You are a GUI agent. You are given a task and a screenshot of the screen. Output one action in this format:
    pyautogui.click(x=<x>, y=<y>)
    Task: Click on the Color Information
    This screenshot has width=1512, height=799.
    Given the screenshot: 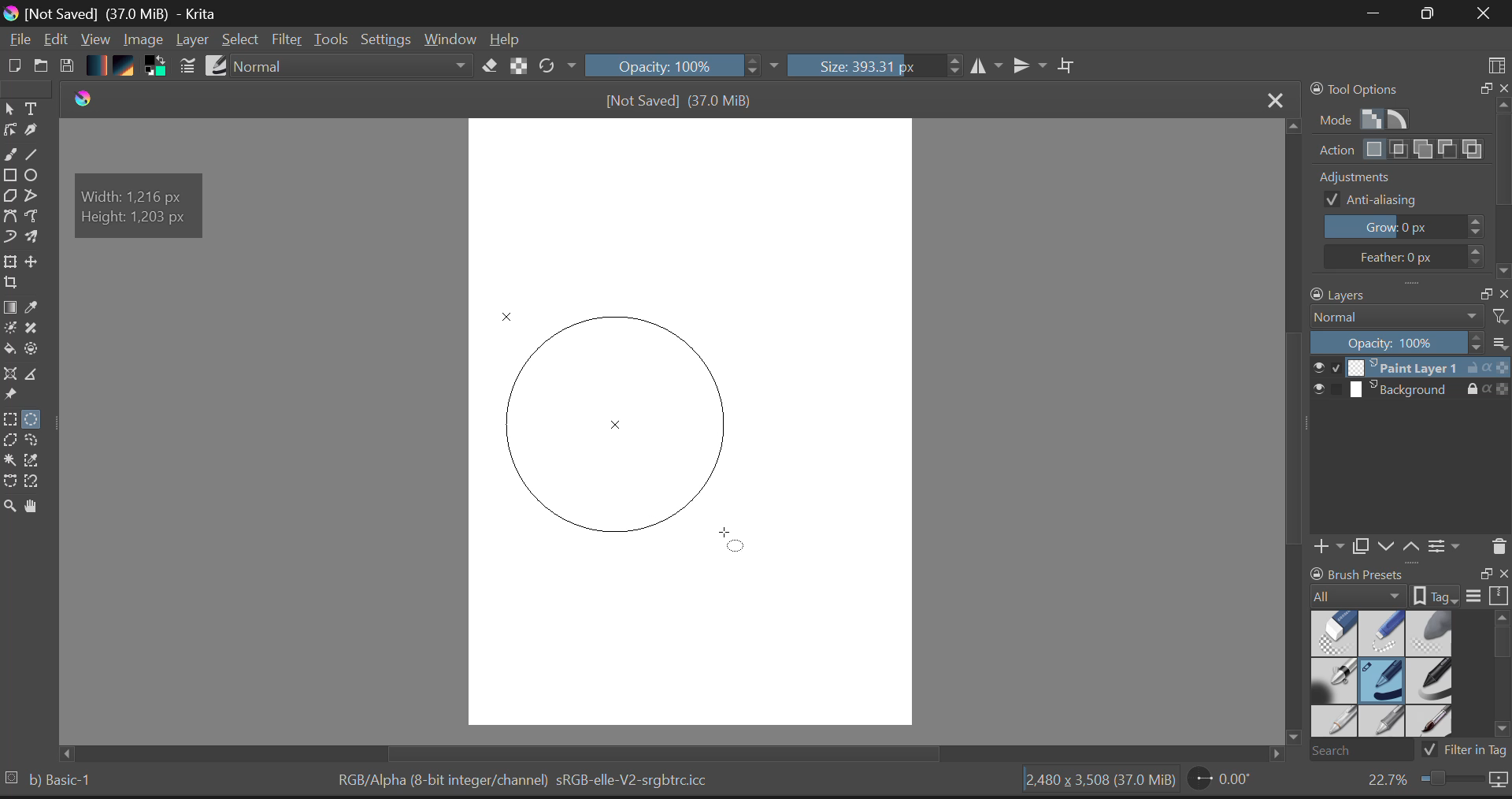 What is the action you would take?
    pyautogui.click(x=528, y=782)
    